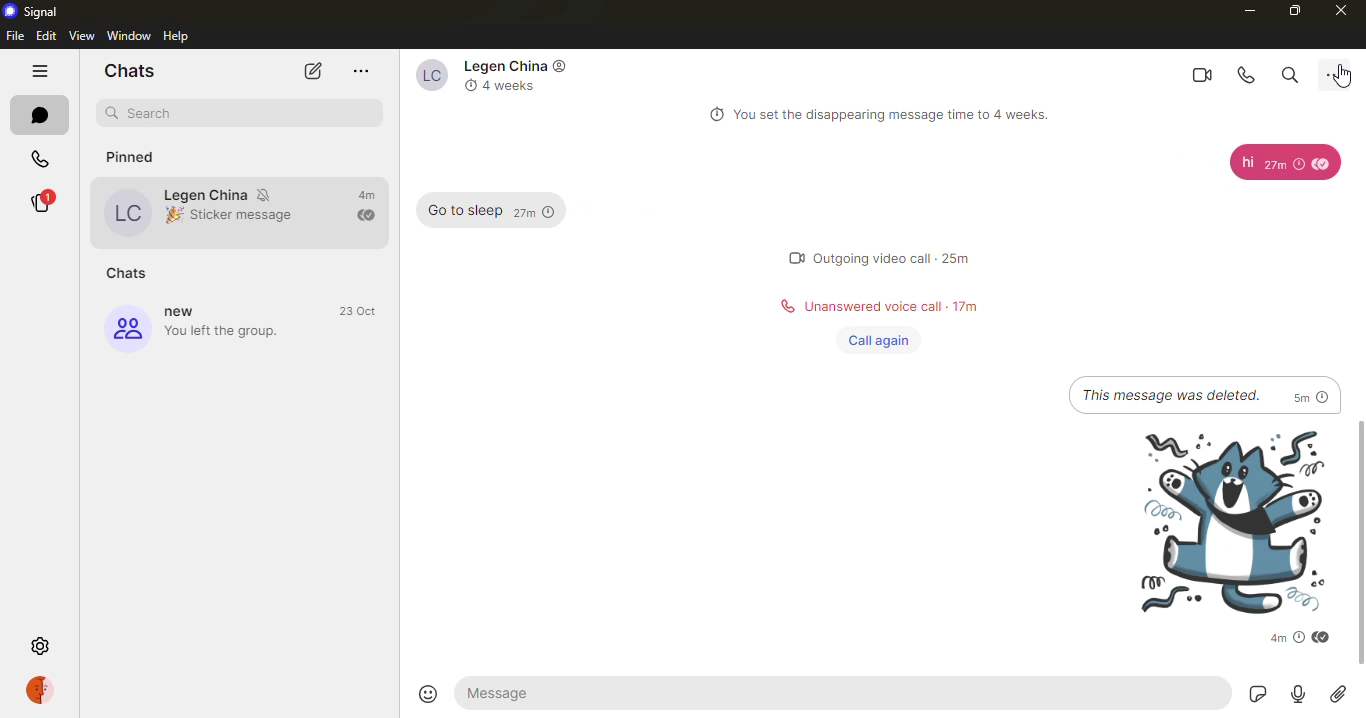  I want to click on clock logo, so click(467, 85).